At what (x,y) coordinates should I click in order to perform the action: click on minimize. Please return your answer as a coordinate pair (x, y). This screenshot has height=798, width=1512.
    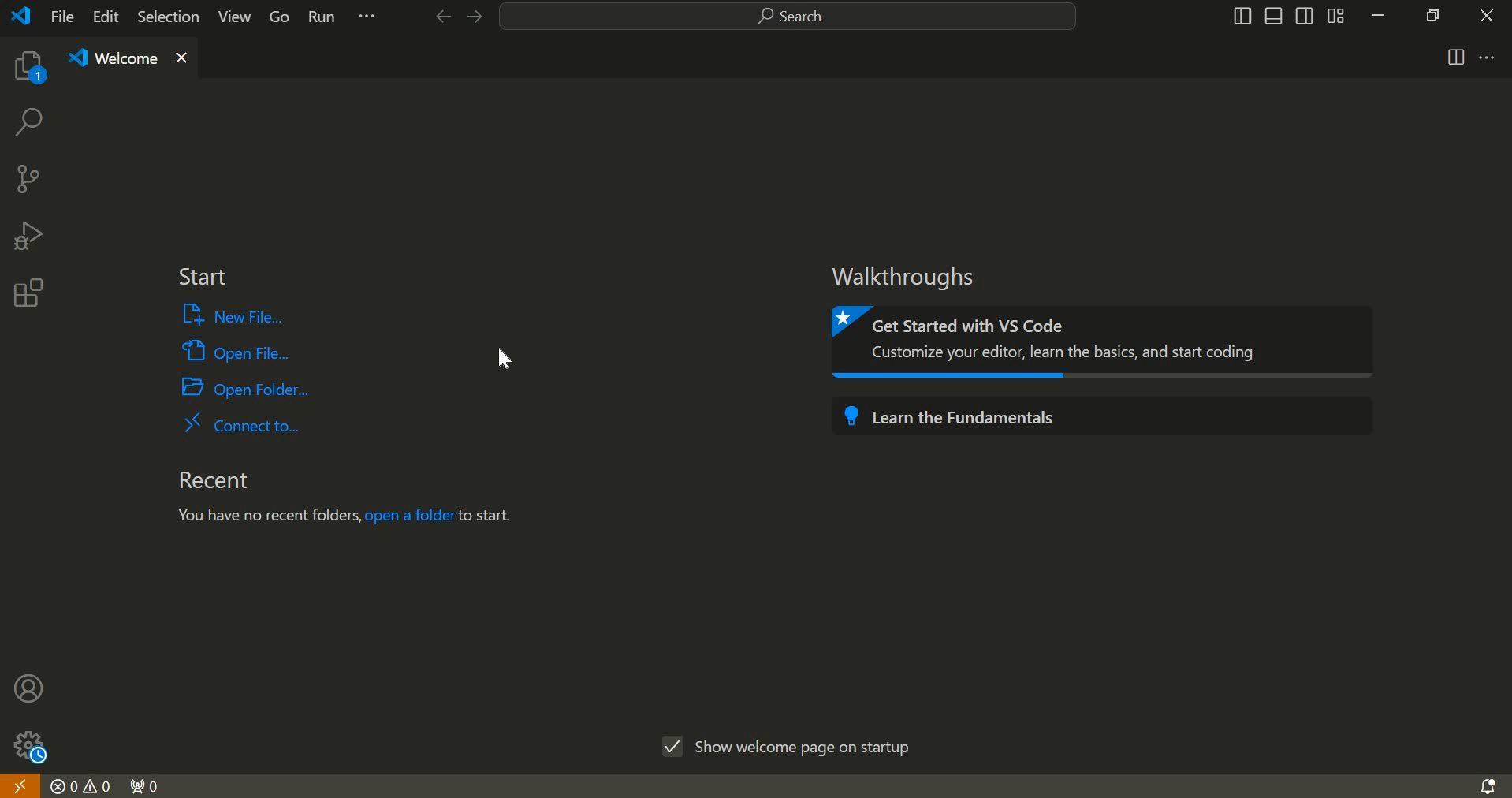
    Looking at the image, I should click on (1378, 15).